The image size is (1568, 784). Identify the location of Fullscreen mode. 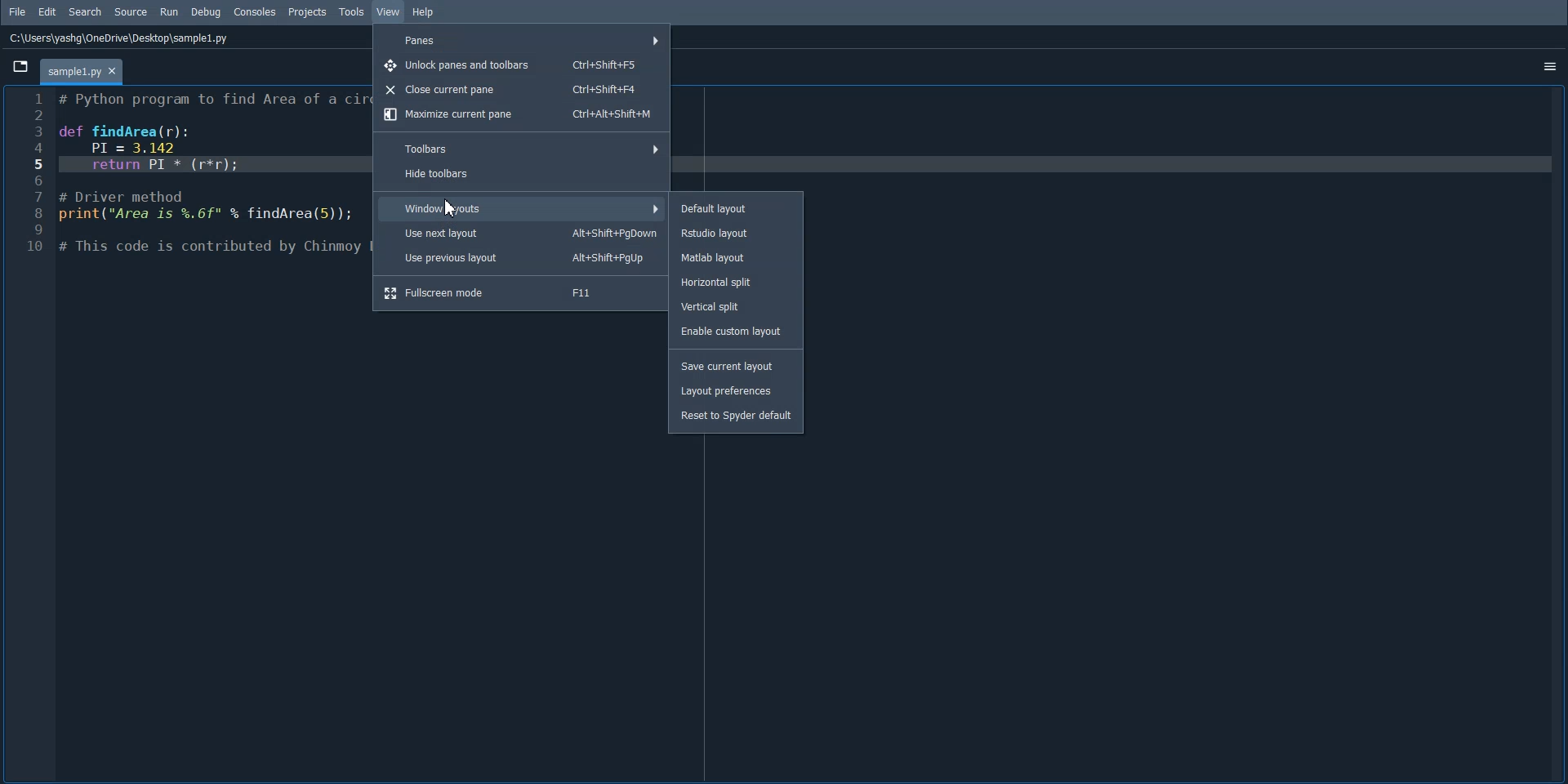
(519, 292).